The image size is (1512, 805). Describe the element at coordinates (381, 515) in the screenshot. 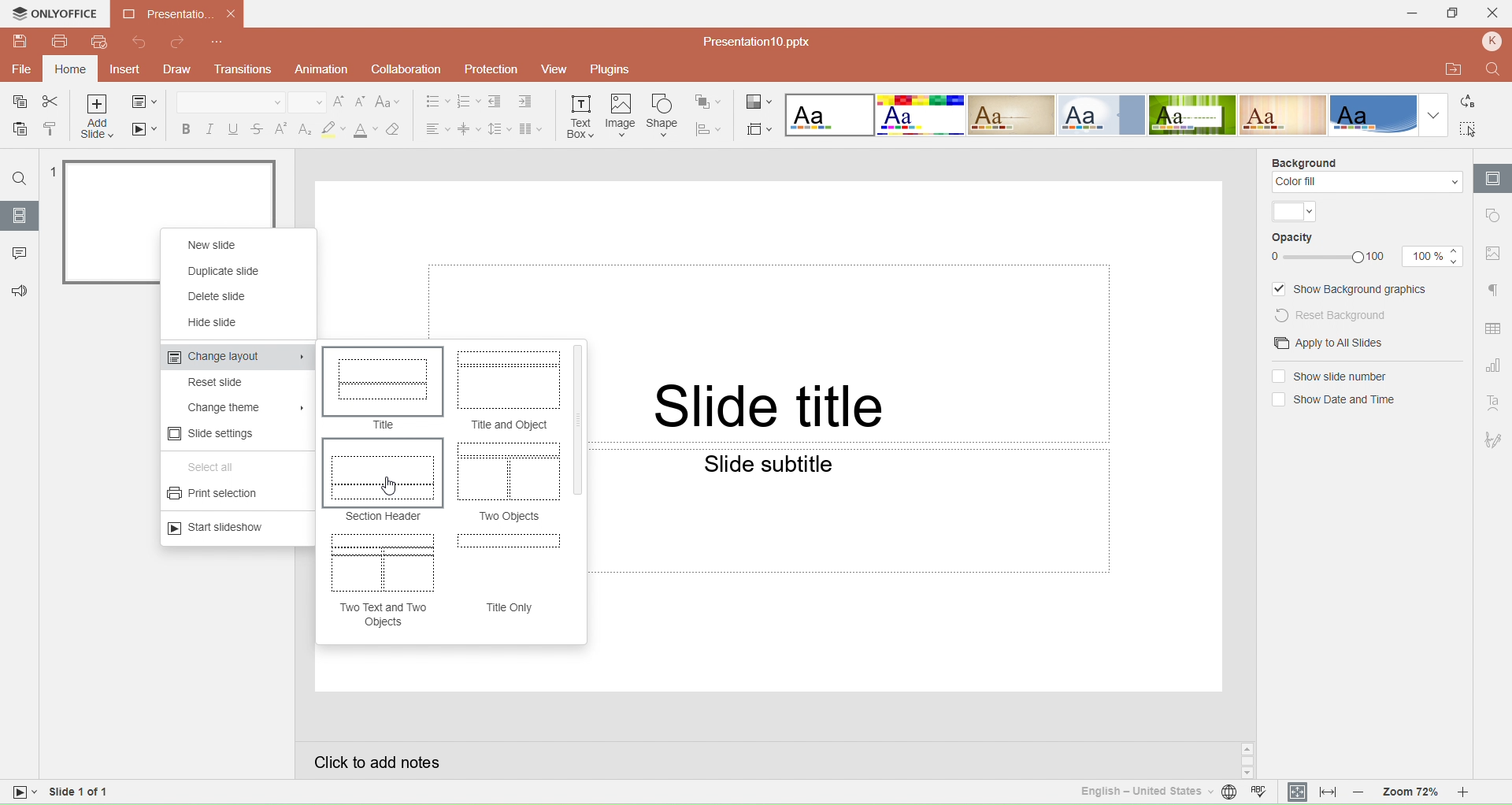

I see `Section Header` at that location.